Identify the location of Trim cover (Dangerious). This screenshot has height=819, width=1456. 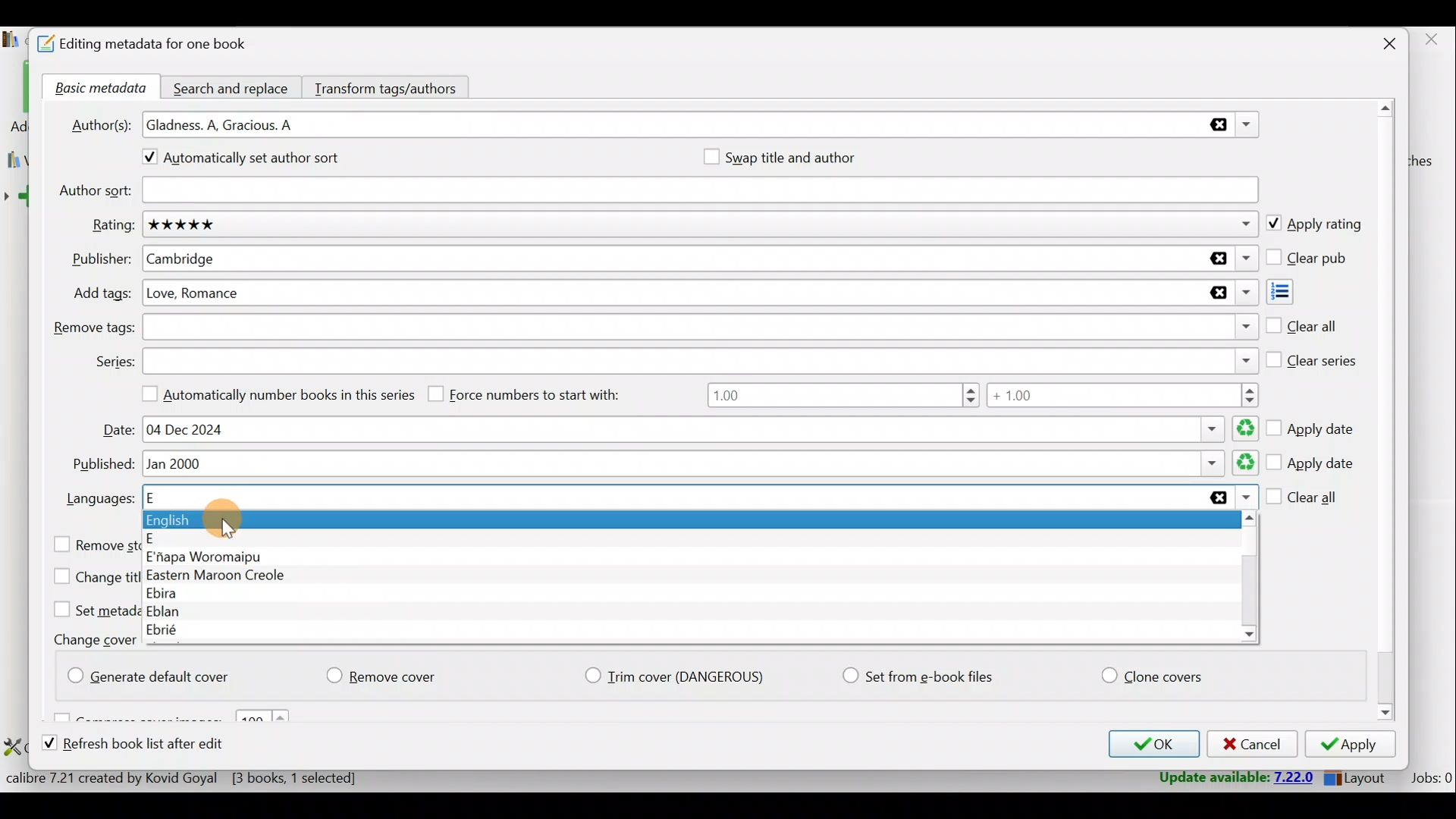
(679, 678).